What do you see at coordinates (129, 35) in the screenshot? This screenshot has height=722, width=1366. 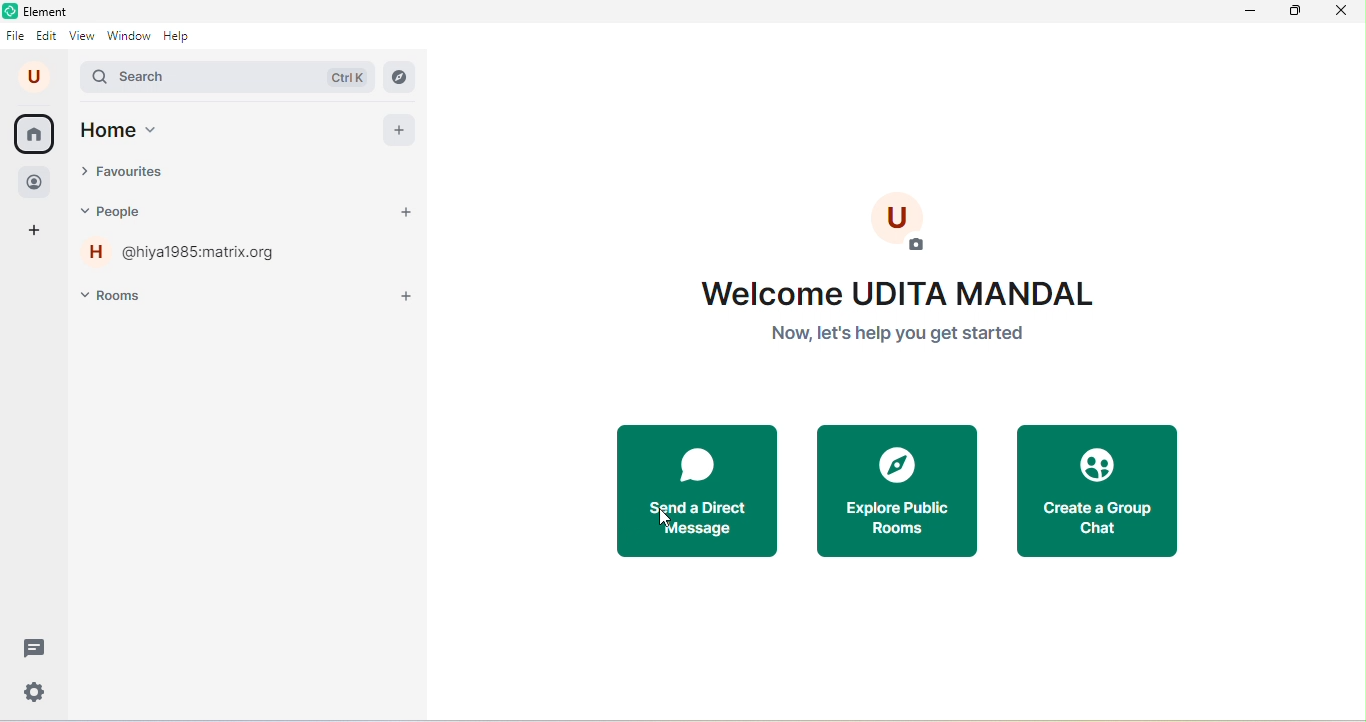 I see `window` at bounding box center [129, 35].